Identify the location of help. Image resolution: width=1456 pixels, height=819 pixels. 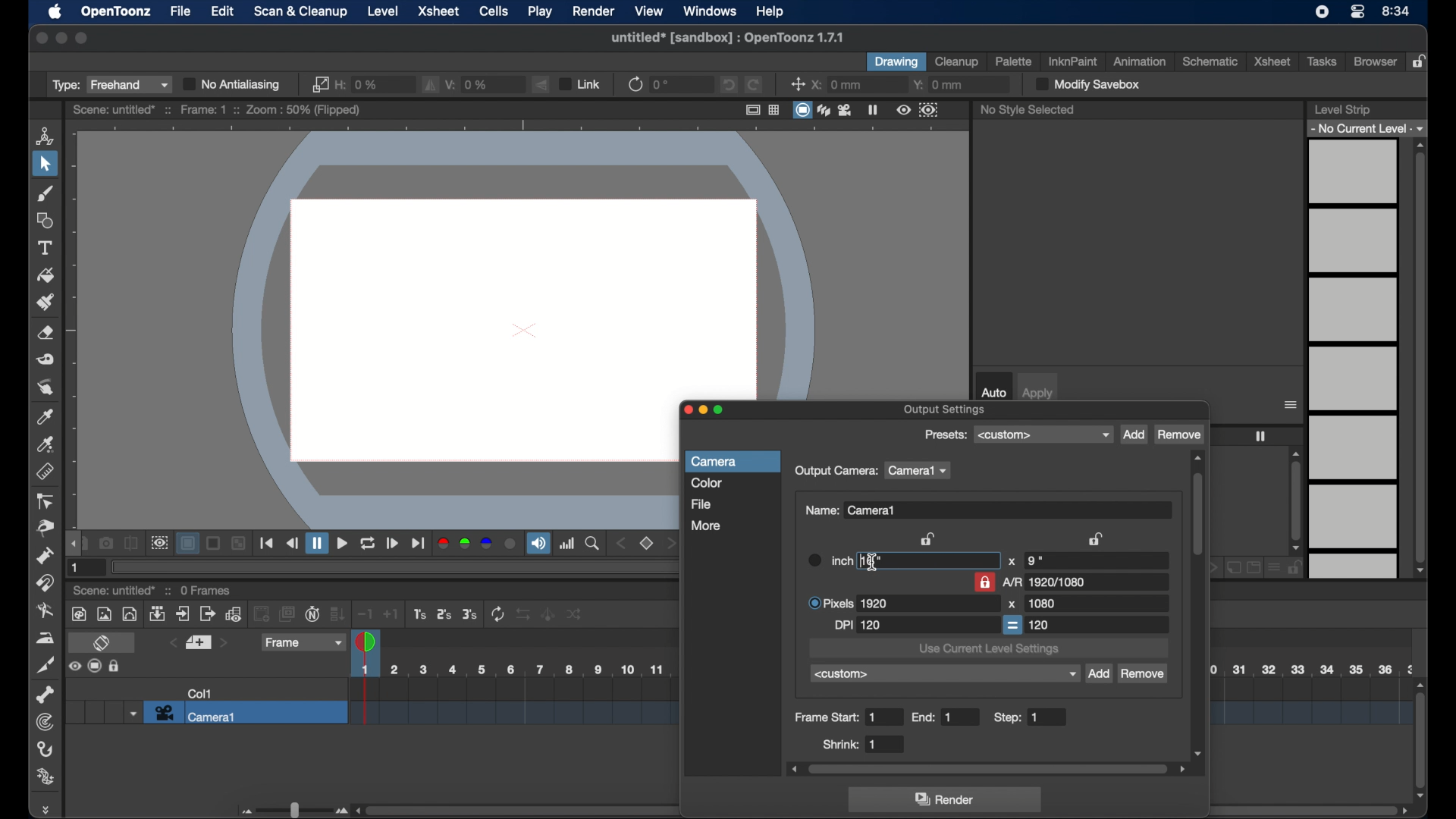
(770, 12).